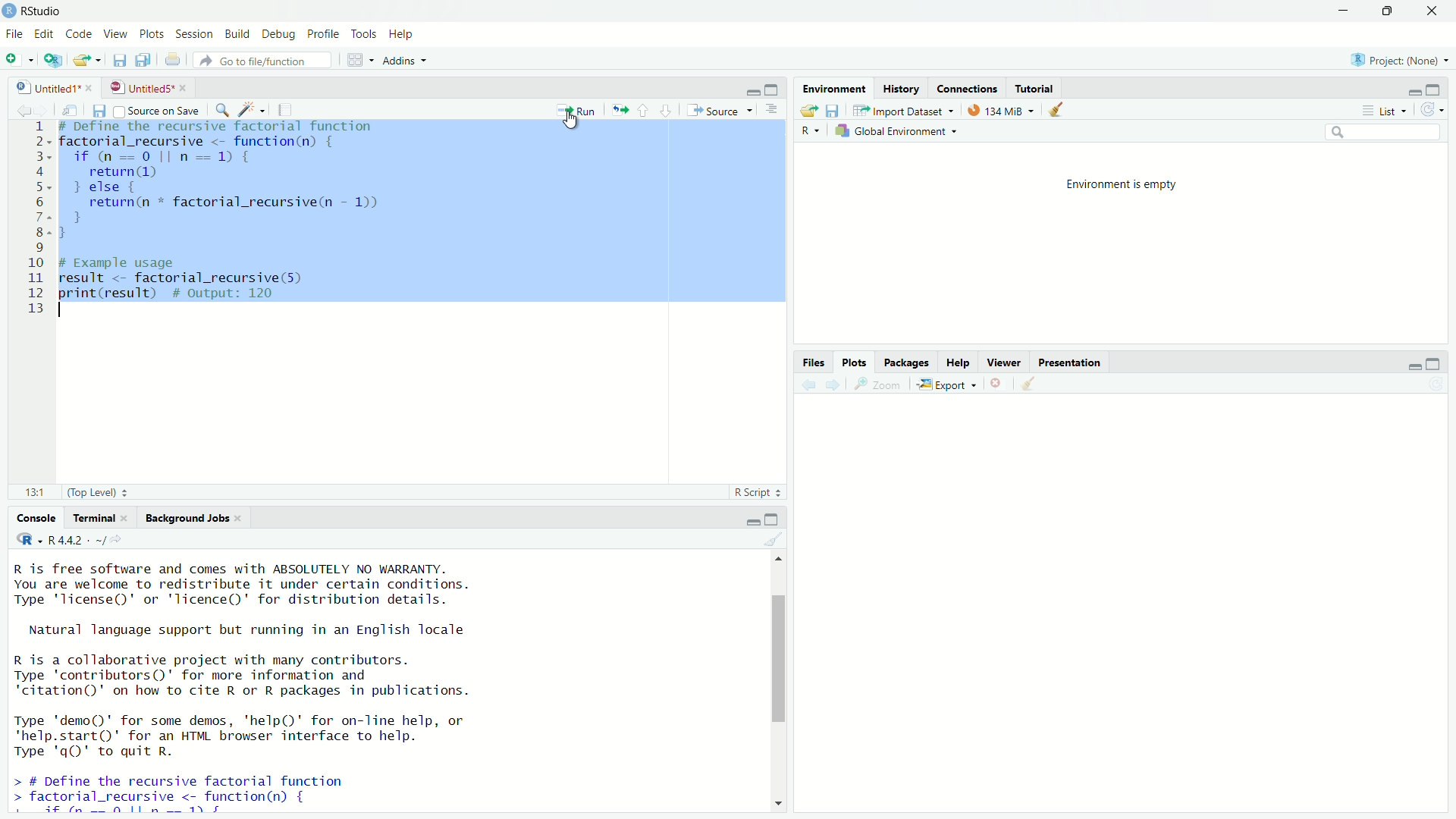 The image size is (1456, 819). I want to click on Clear console (Ctrl +L), so click(1061, 108).